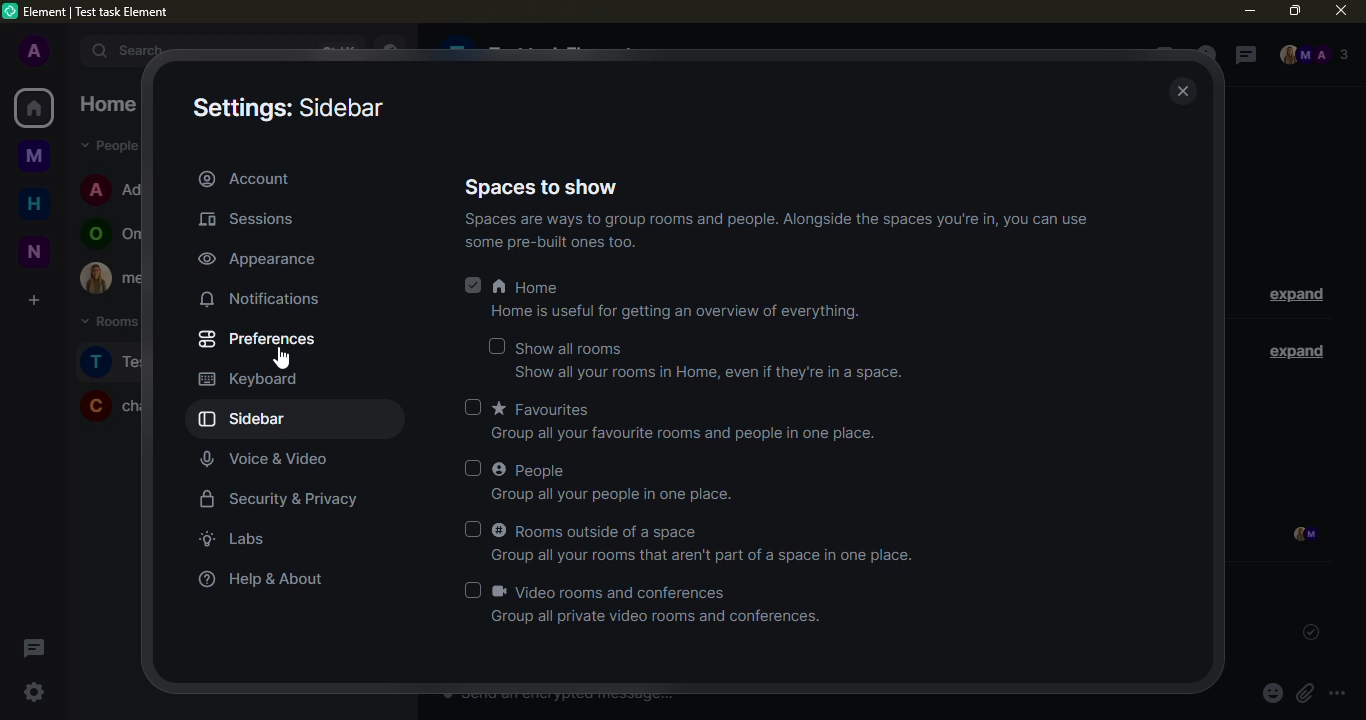  I want to click on sidebar, so click(242, 420).